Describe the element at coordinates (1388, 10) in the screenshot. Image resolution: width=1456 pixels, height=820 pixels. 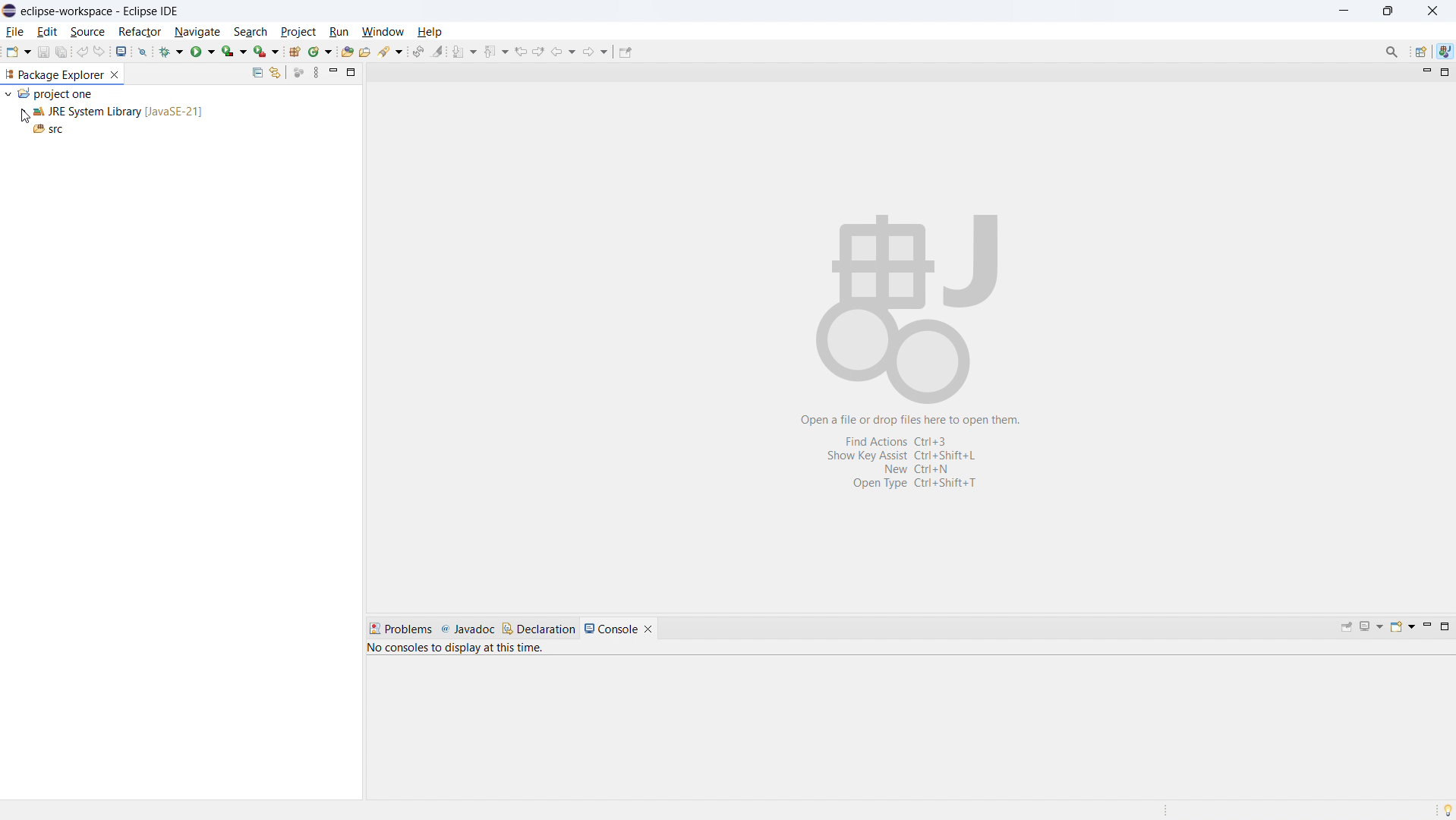
I see `maximize` at that location.